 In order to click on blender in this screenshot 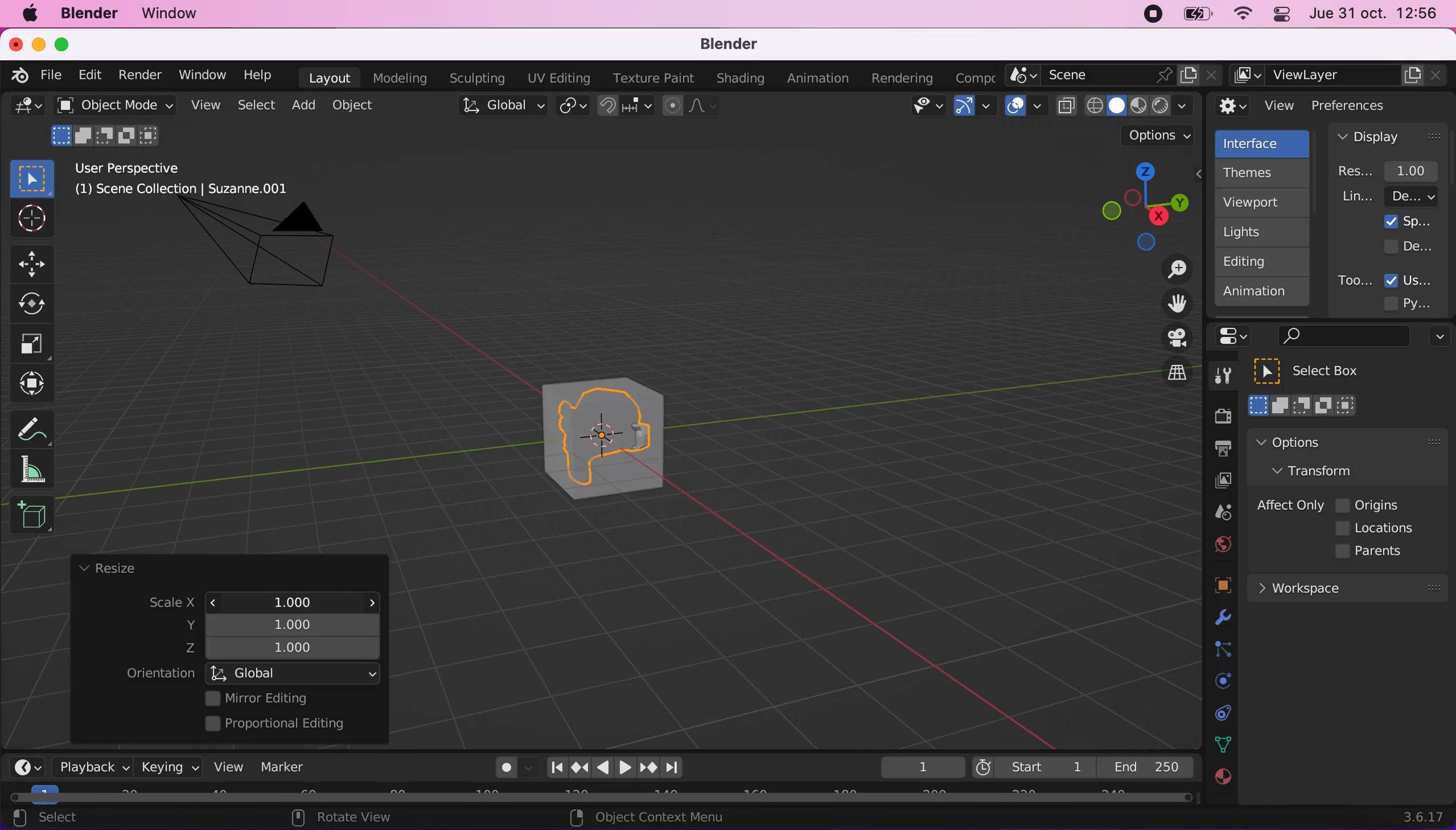, I will do `click(15, 74)`.